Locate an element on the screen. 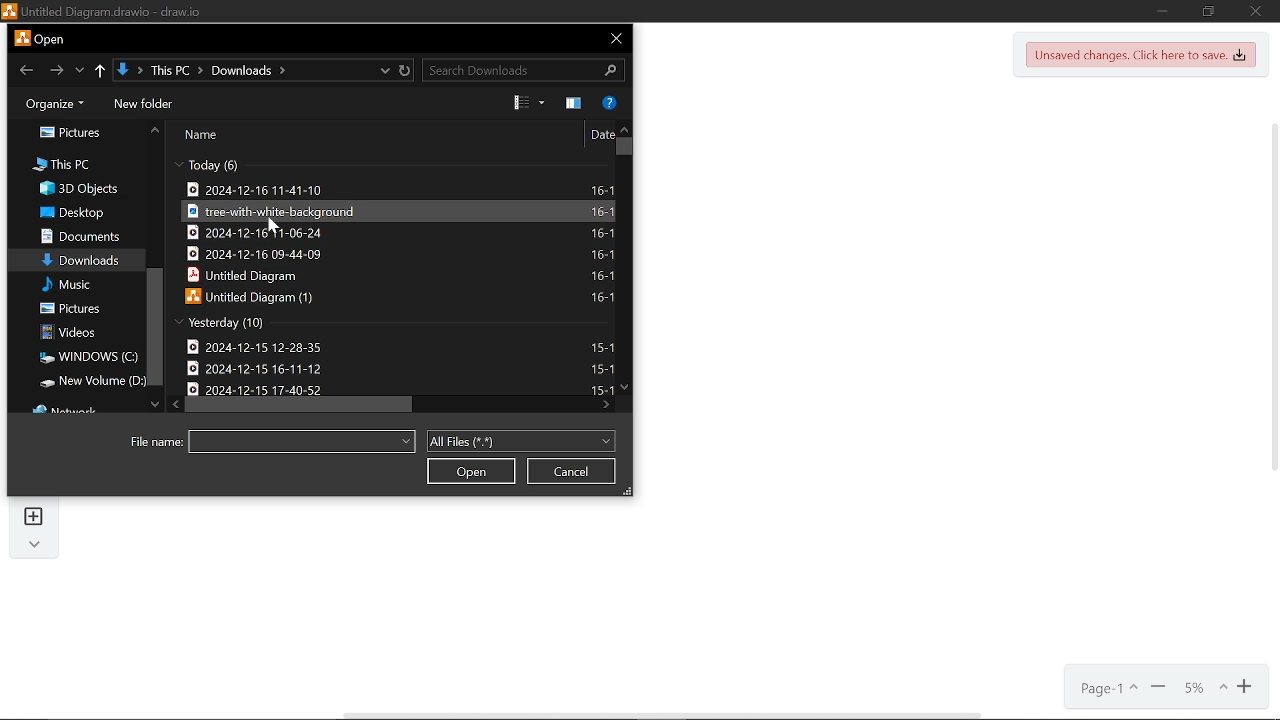 The height and width of the screenshot is (720, 1280). file titled "2024-12-14 09-44-09" is located at coordinates (400, 253).